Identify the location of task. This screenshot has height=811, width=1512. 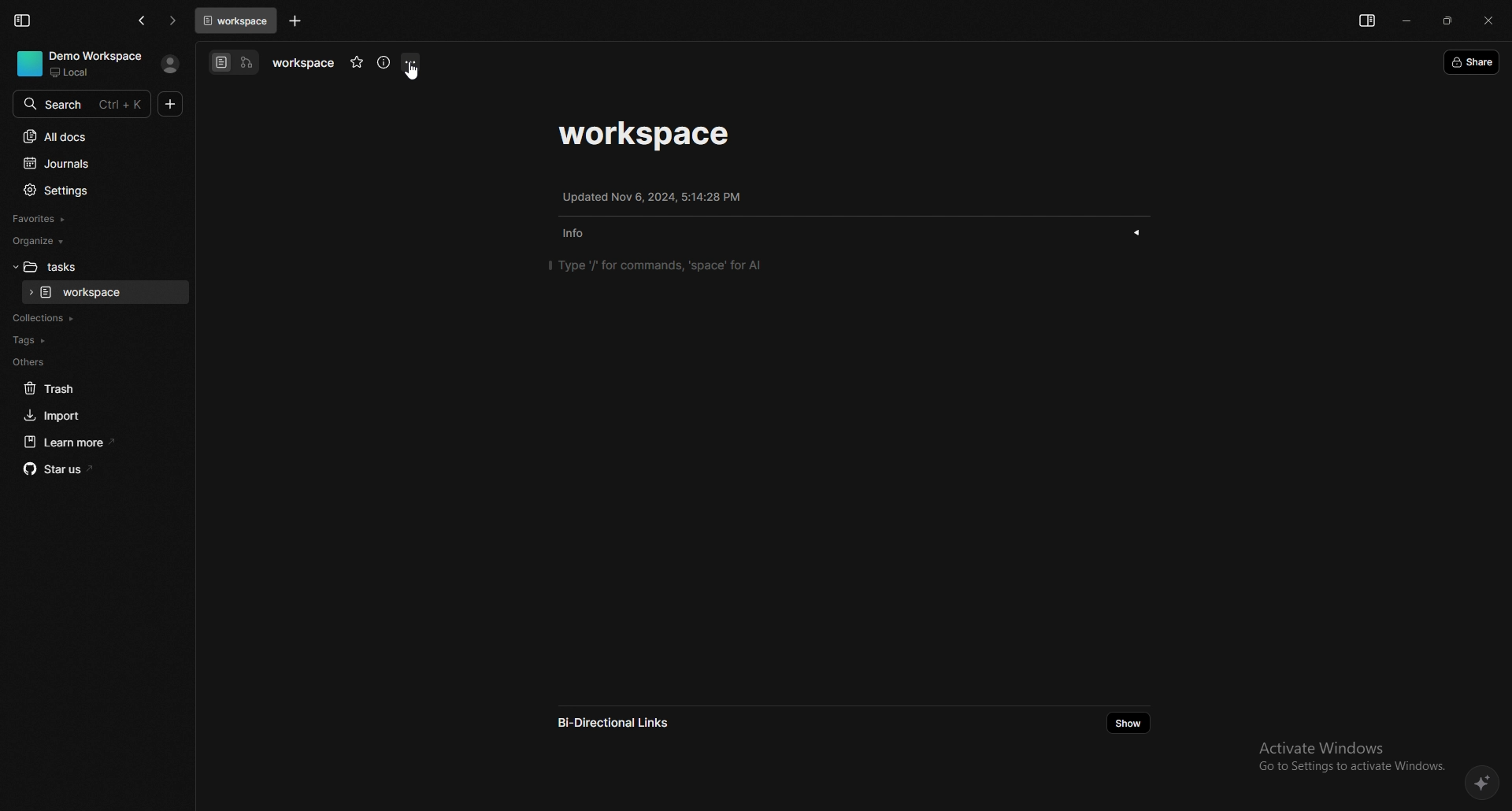
(106, 293).